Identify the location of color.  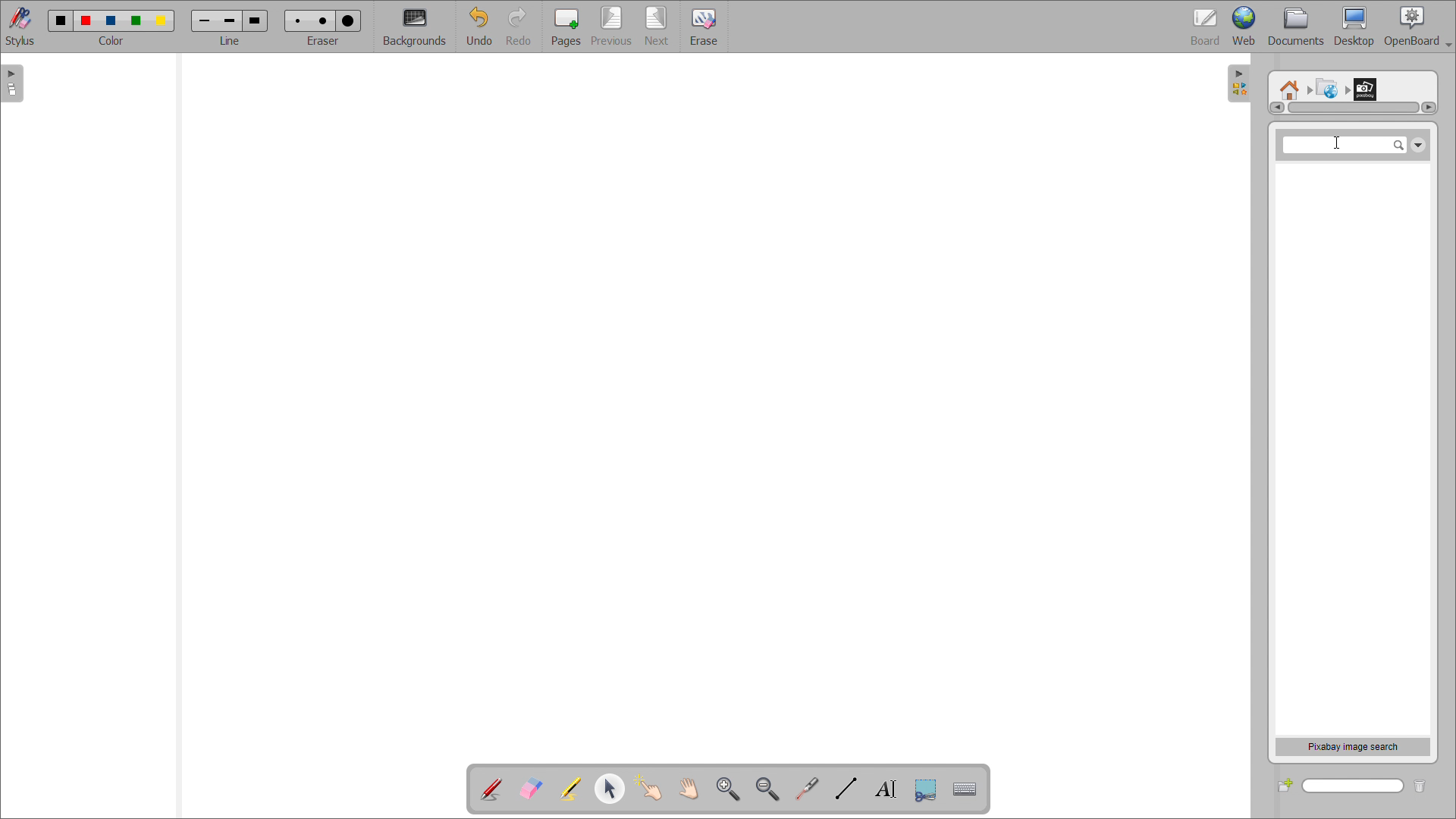
(112, 41).